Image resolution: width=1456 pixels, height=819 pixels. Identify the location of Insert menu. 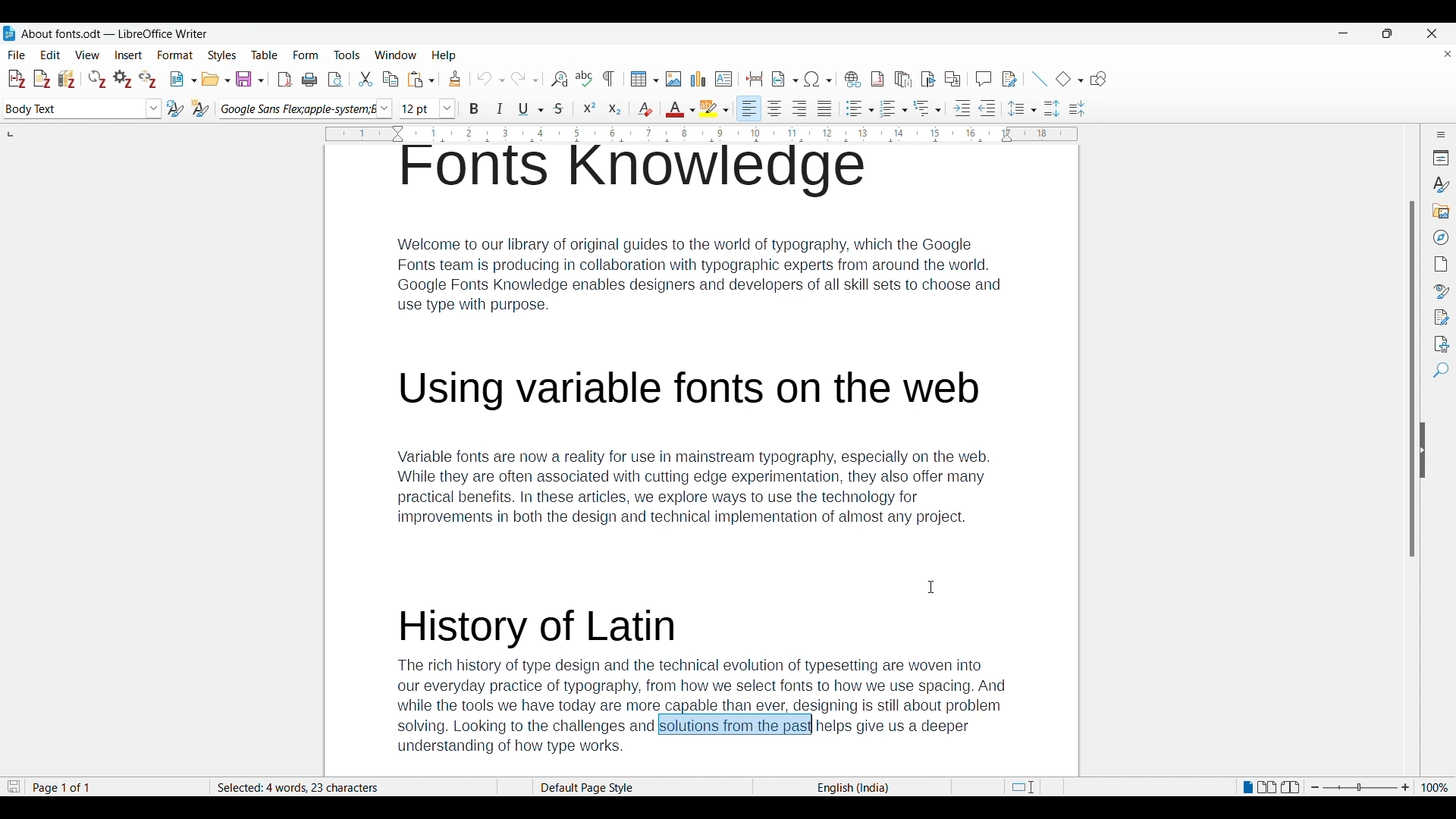
(129, 55).